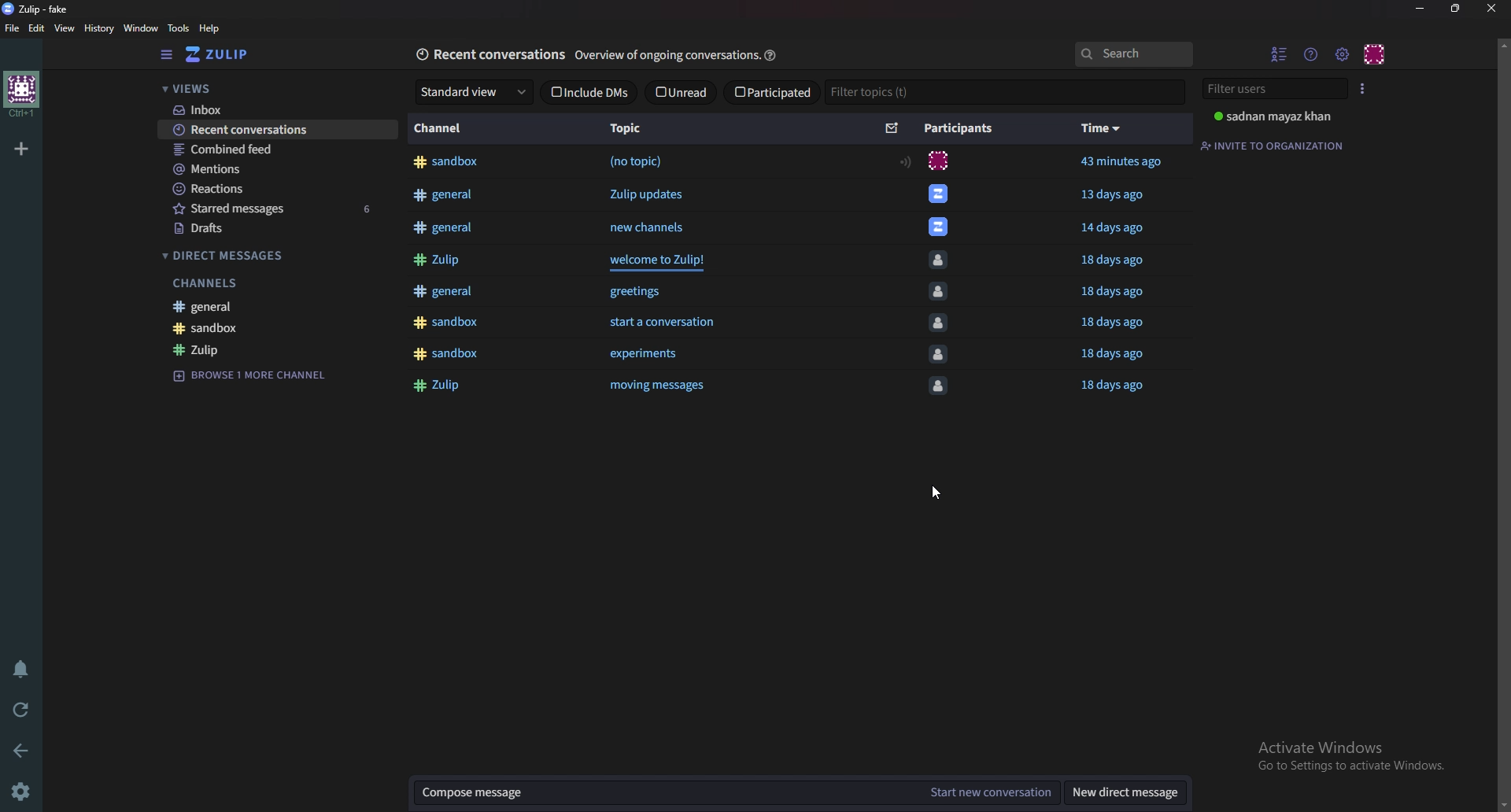  Describe the element at coordinates (13, 28) in the screenshot. I see `file` at that location.